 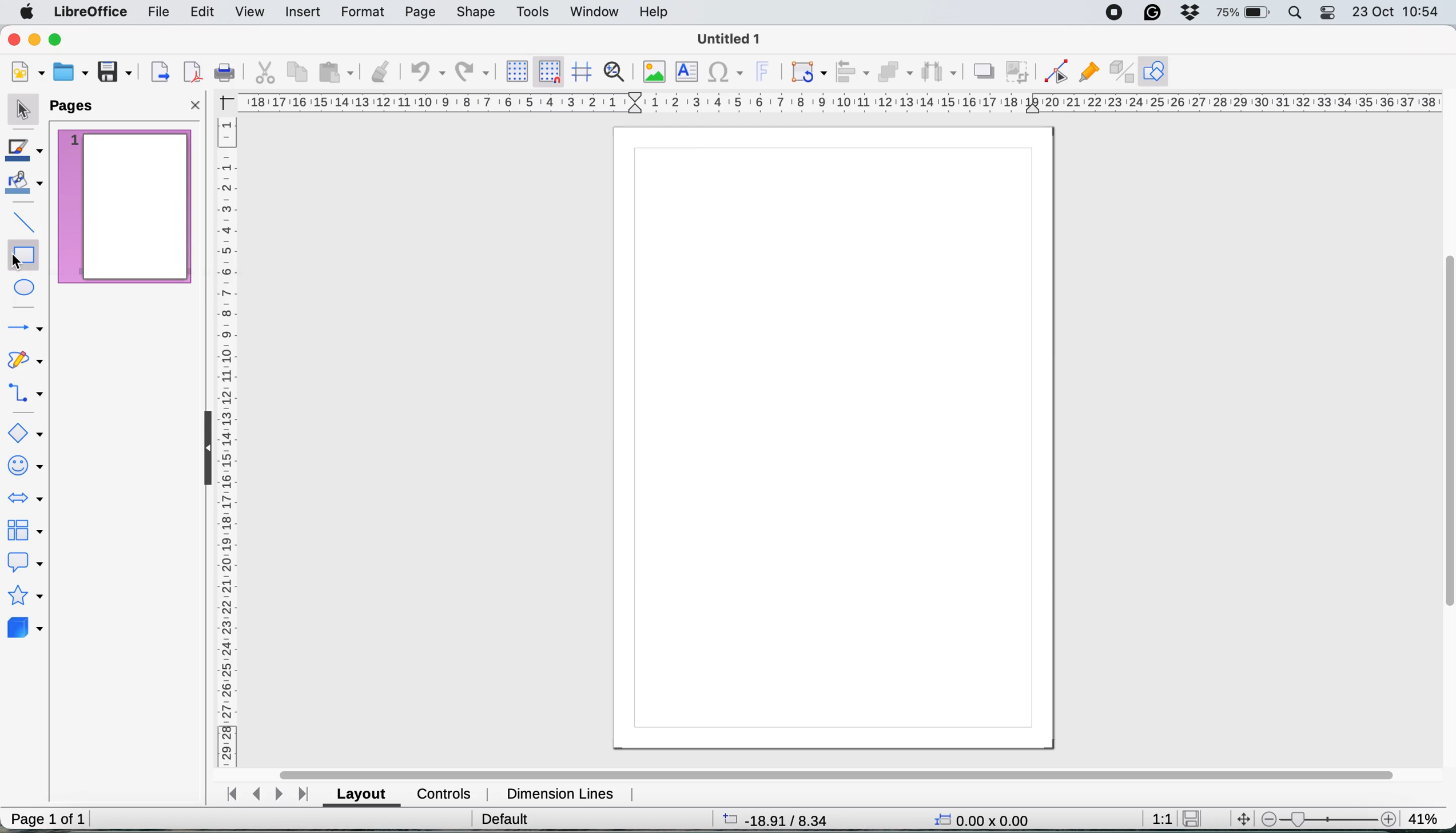 What do you see at coordinates (24, 463) in the screenshot?
I see `symbol shapes` at bounding box center [24, 463].